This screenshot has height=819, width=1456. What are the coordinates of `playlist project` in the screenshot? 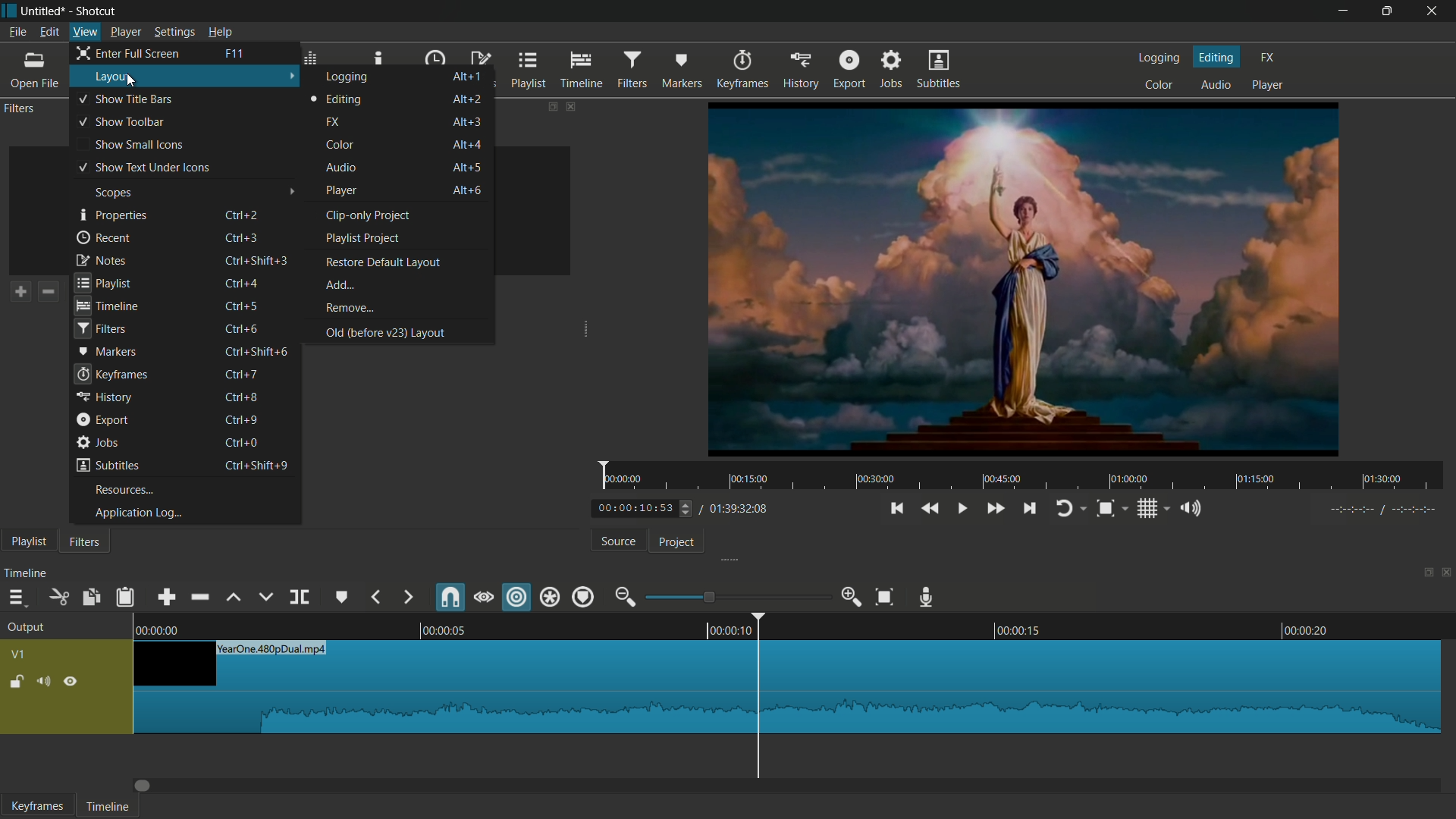 It's located at (362, 238).